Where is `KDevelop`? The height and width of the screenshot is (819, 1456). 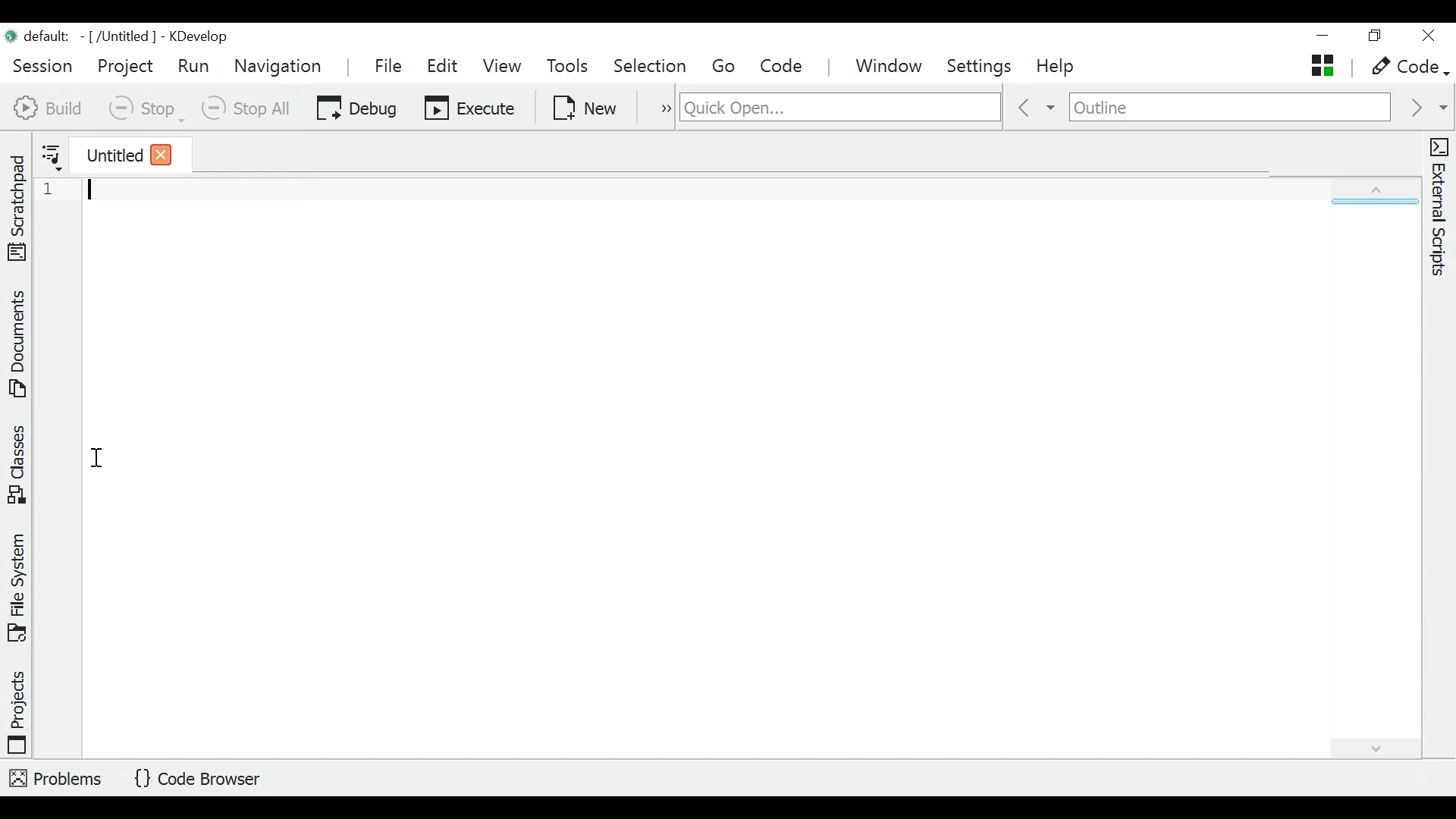 KDevelop is located at coordinates (199, 36).